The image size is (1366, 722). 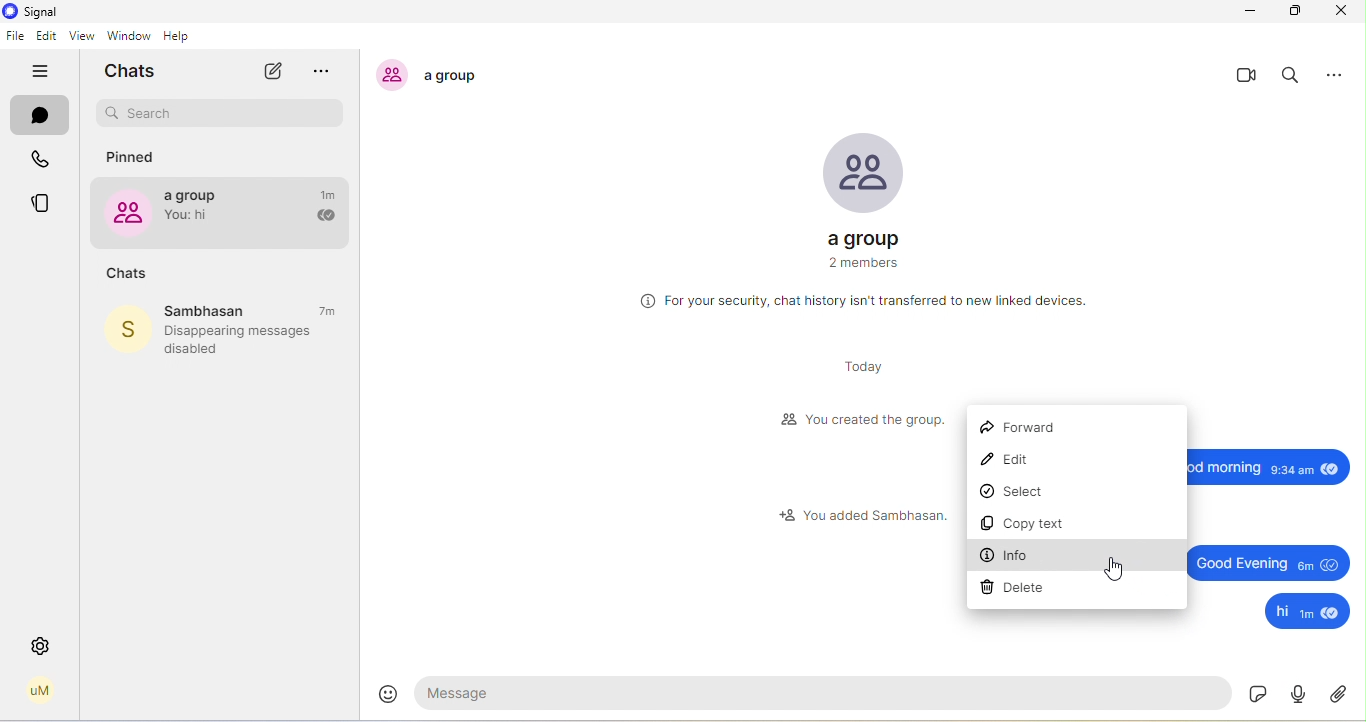 I want to click on signal, so click(x=33, y=12).